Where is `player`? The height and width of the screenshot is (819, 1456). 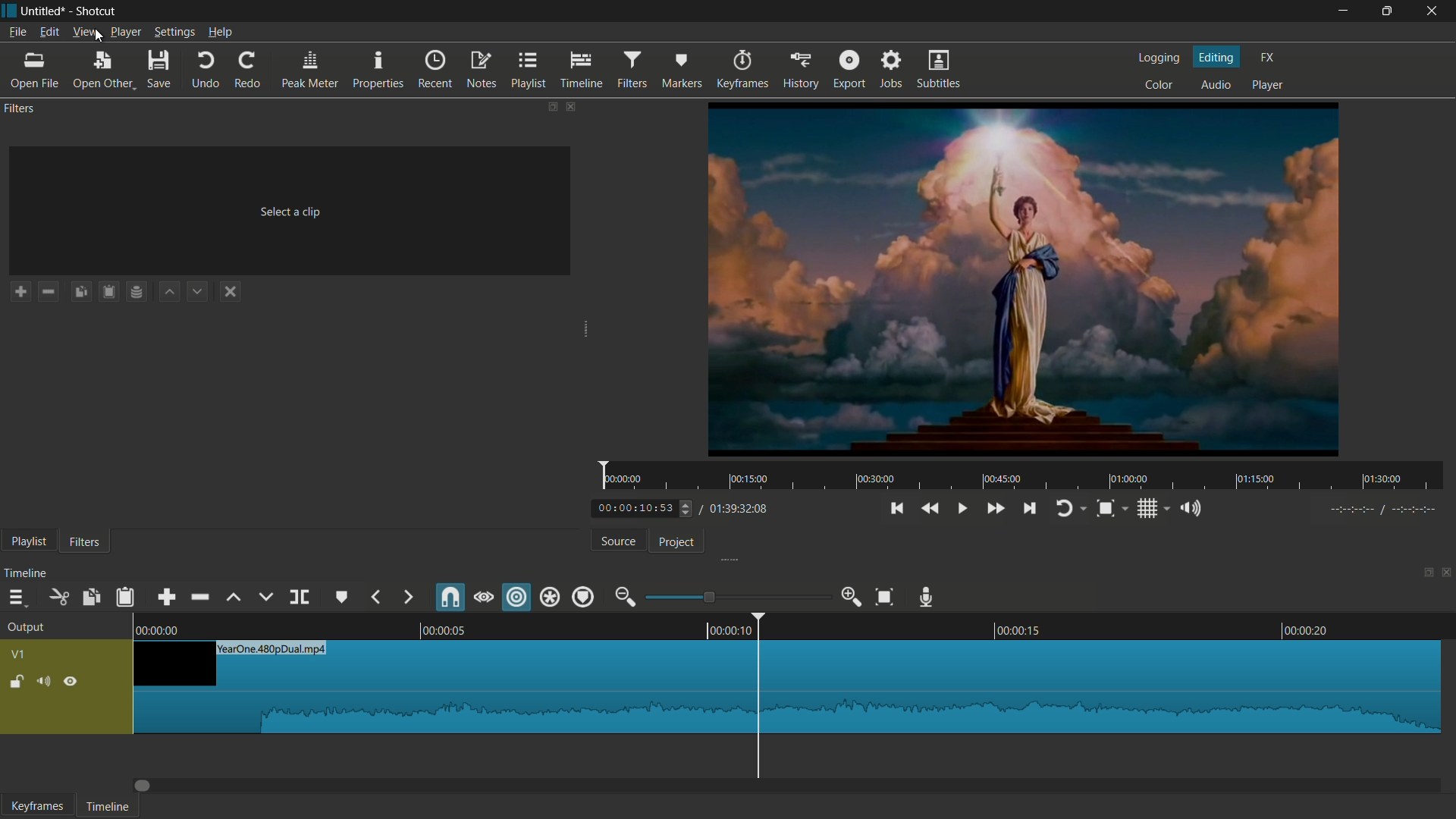
player is located at coordinates (1267, 84).